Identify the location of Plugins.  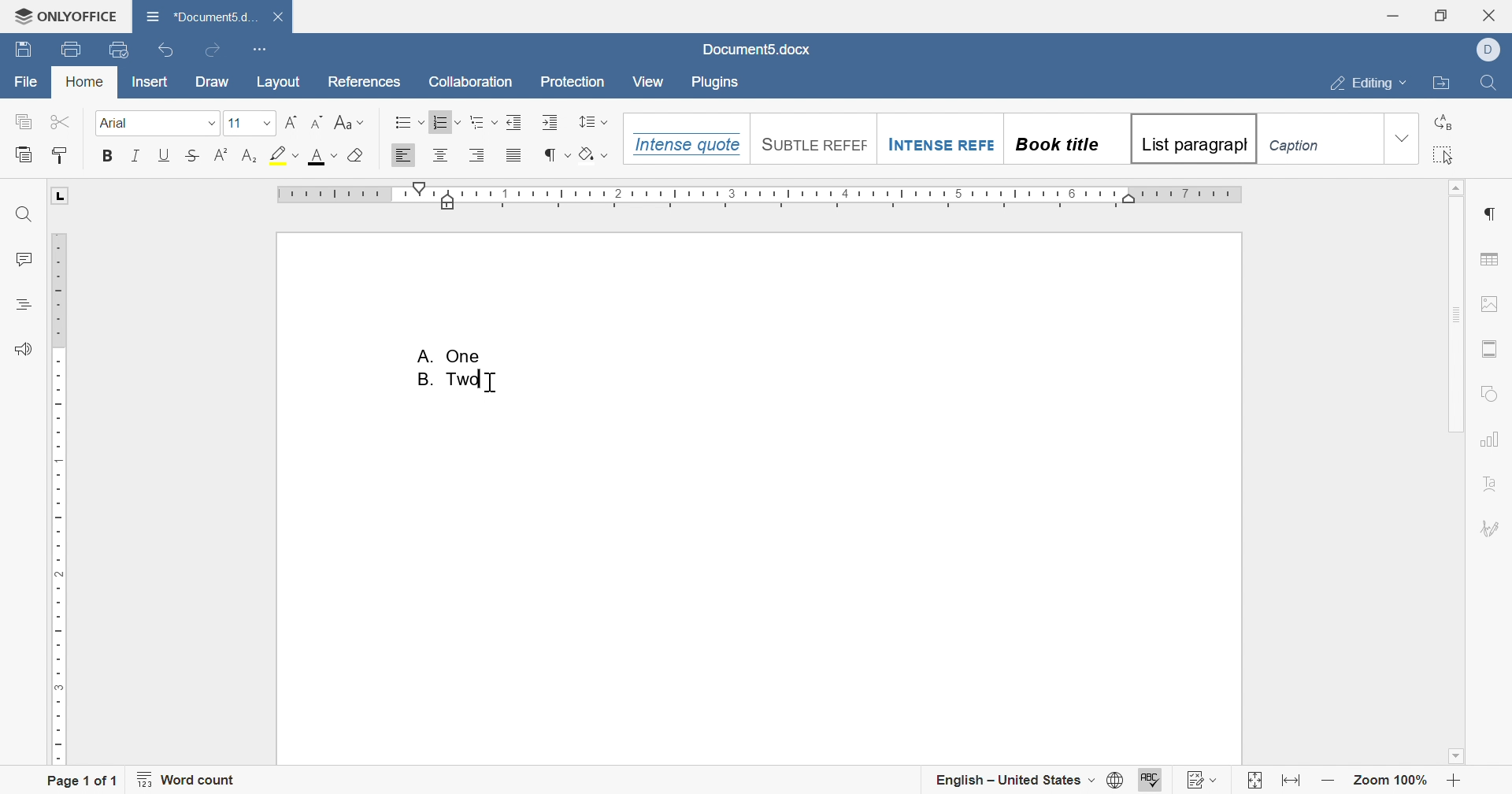
(713, 83).